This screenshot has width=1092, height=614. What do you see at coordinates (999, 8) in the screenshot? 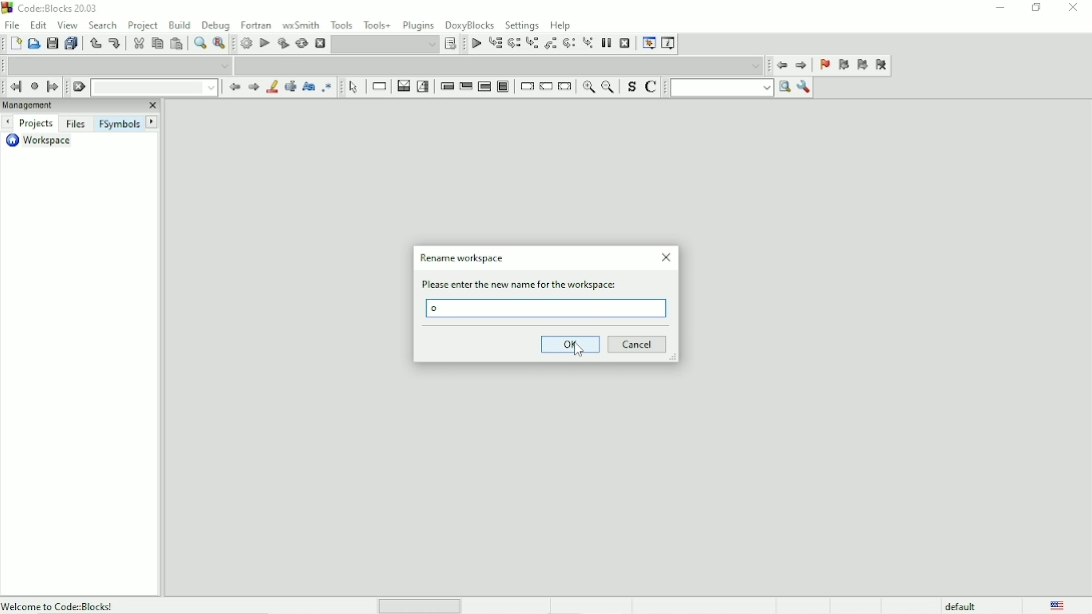
I see `Minimize` at bounding box center [999, 8].